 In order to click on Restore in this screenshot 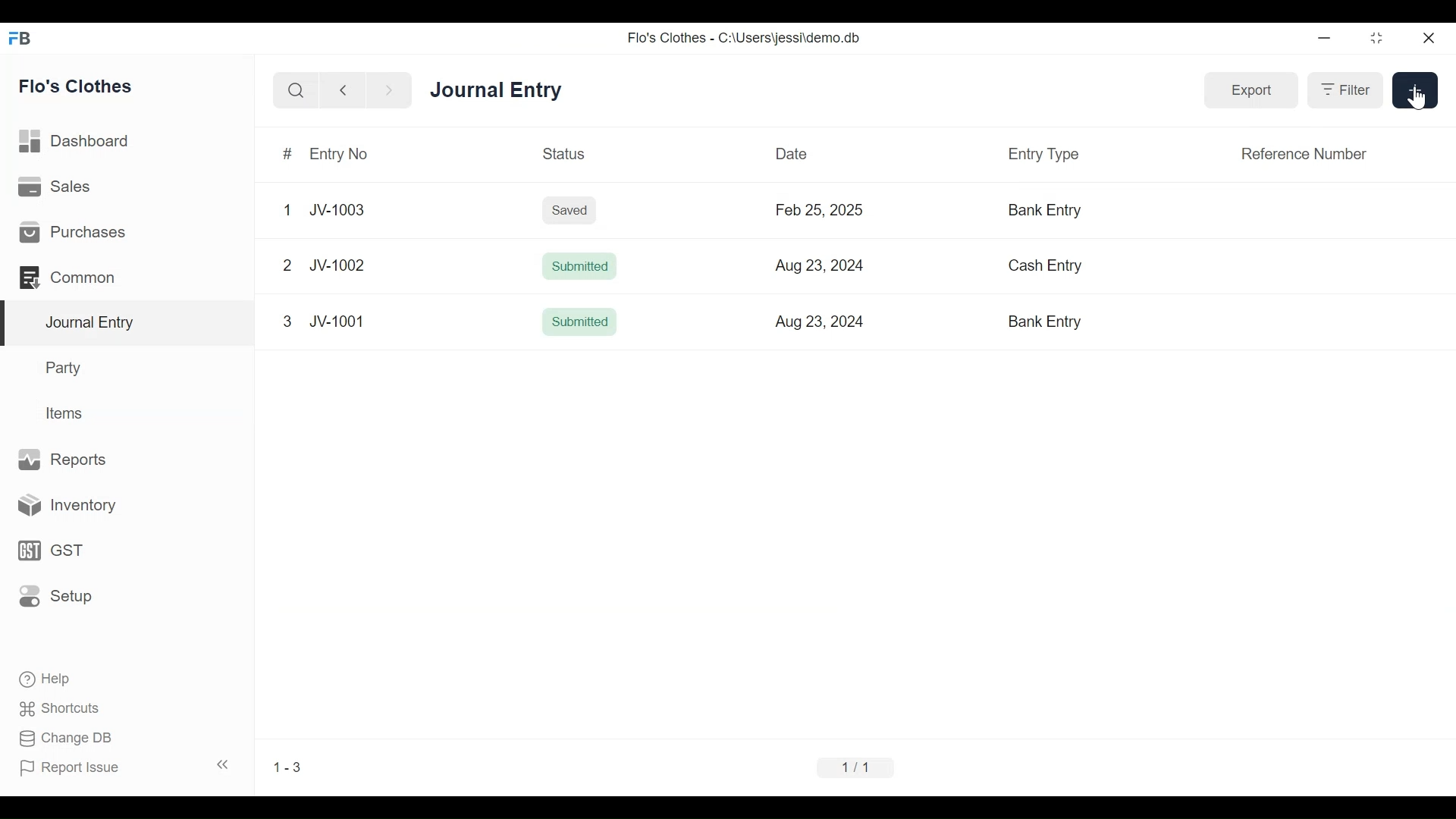, I will do `click(1376, 38)`.